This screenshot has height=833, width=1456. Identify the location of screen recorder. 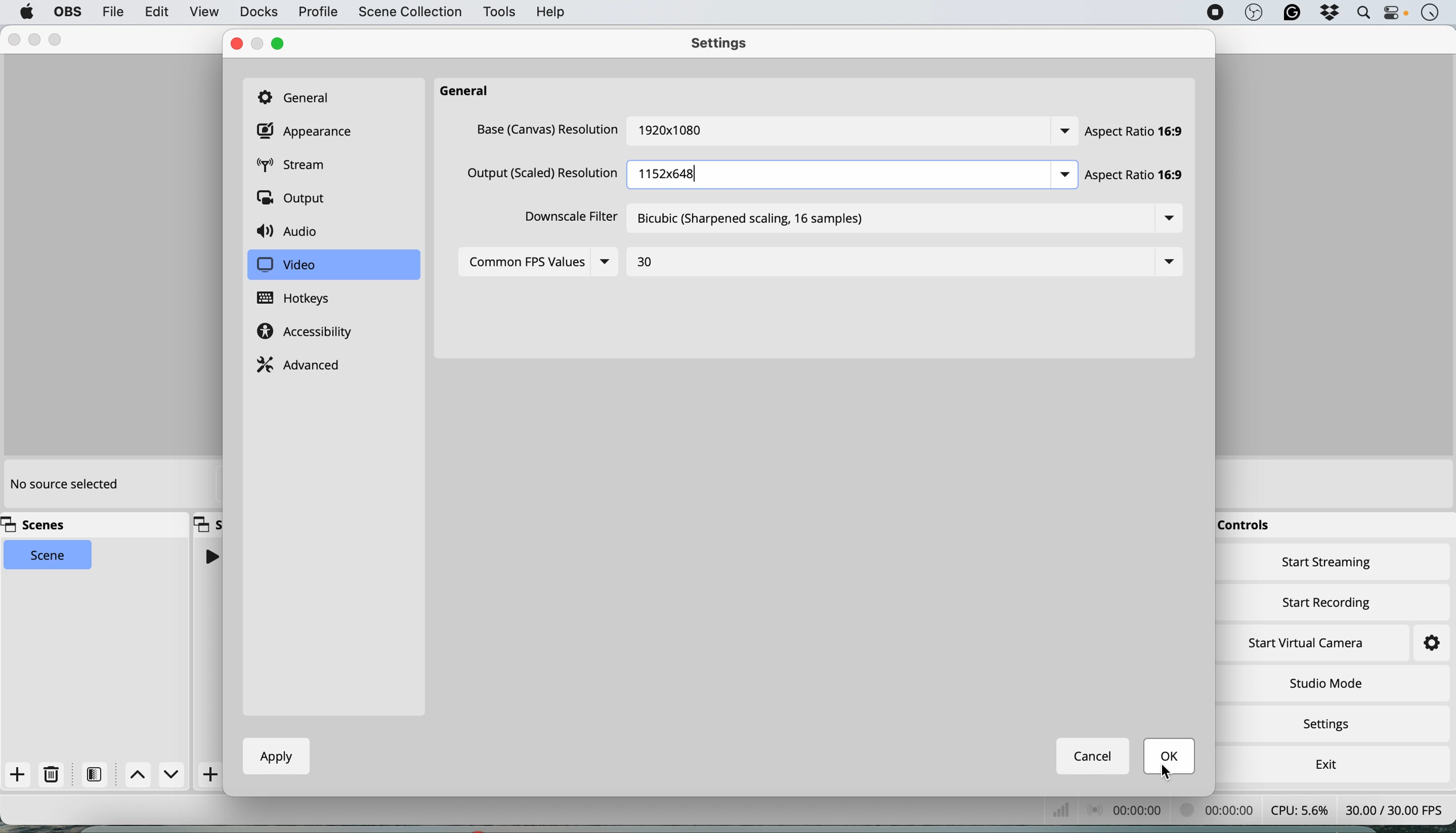
(1214, 13).